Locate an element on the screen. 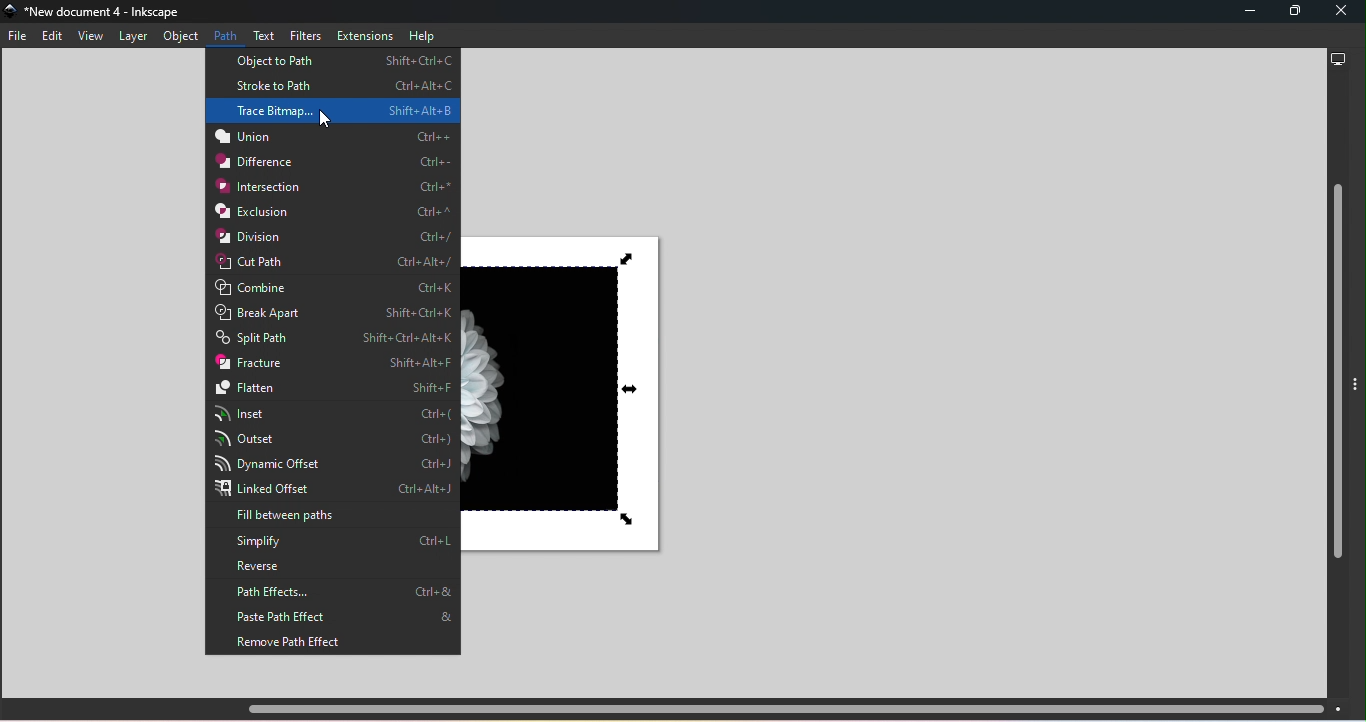 The width and height of the screenshot is (1366, 722). Close is located at coordinates (1344, 11).